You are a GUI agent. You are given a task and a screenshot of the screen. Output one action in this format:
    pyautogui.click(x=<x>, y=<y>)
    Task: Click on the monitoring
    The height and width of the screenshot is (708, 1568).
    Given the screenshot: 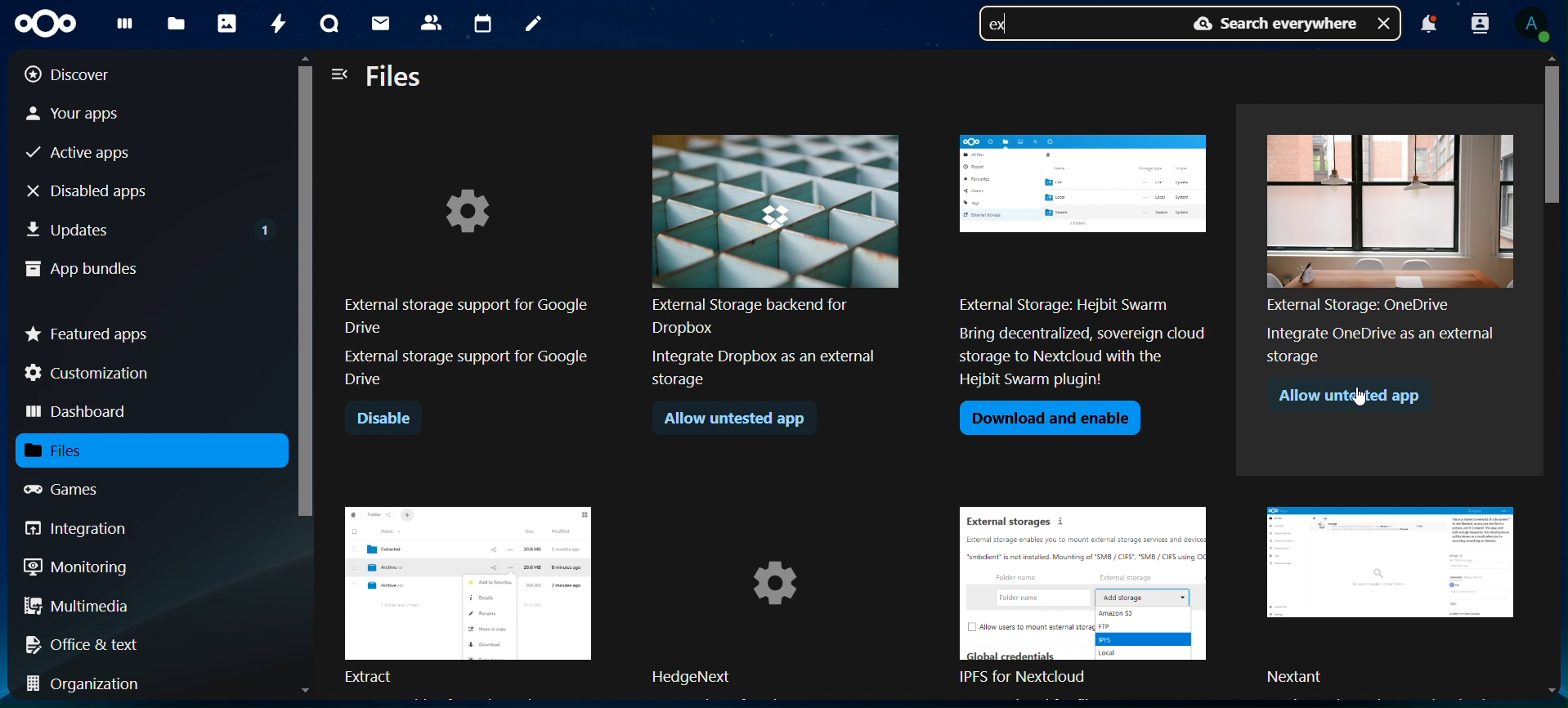 What is the action you would take?
    pyautogui.click(x=77, y=566)
    